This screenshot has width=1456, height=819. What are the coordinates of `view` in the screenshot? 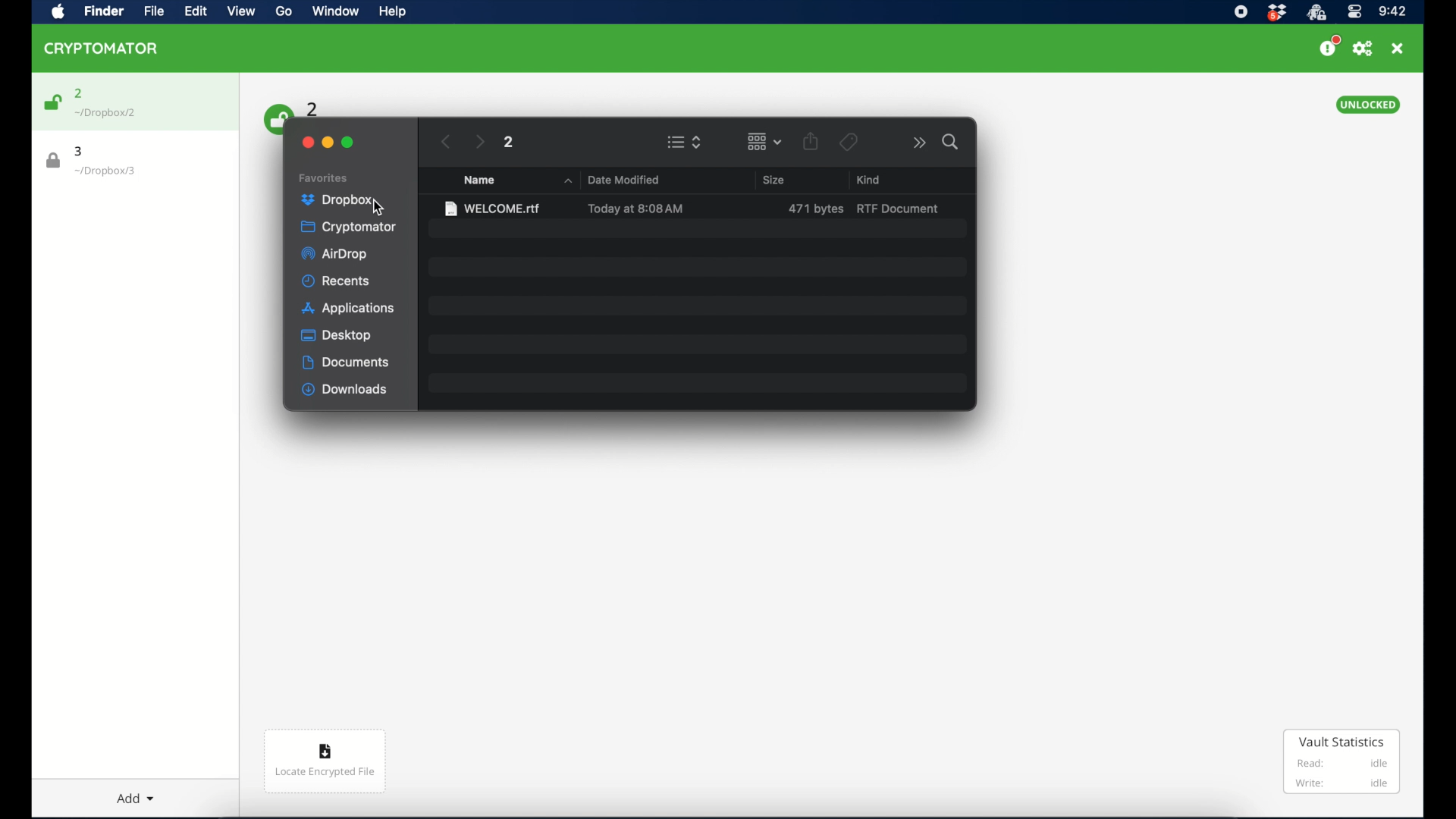 It's located at (241, 11).